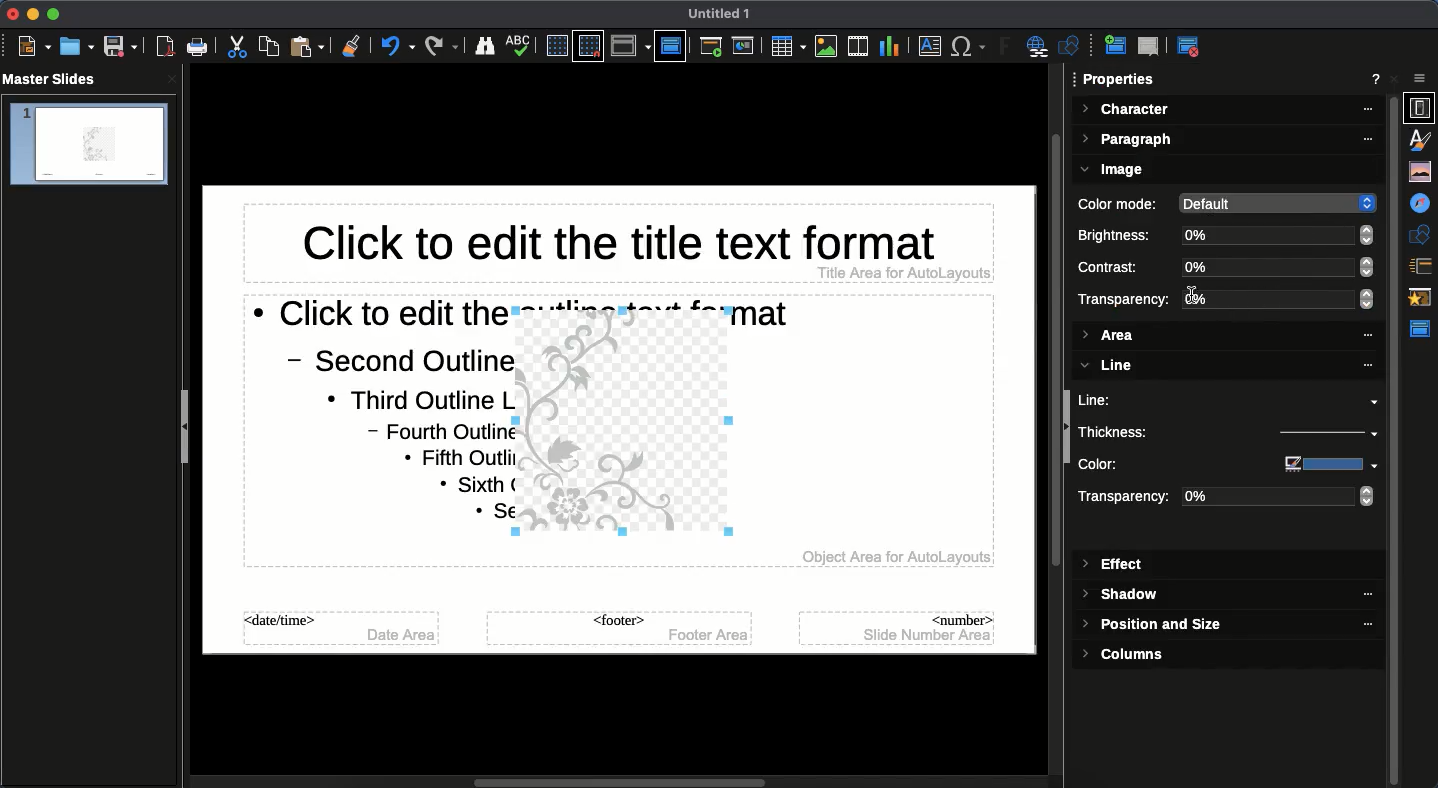  What do you see at coordinates (1149, 46) in the screenshot?
I see `Delete master` at bounding box center [1149, 46].